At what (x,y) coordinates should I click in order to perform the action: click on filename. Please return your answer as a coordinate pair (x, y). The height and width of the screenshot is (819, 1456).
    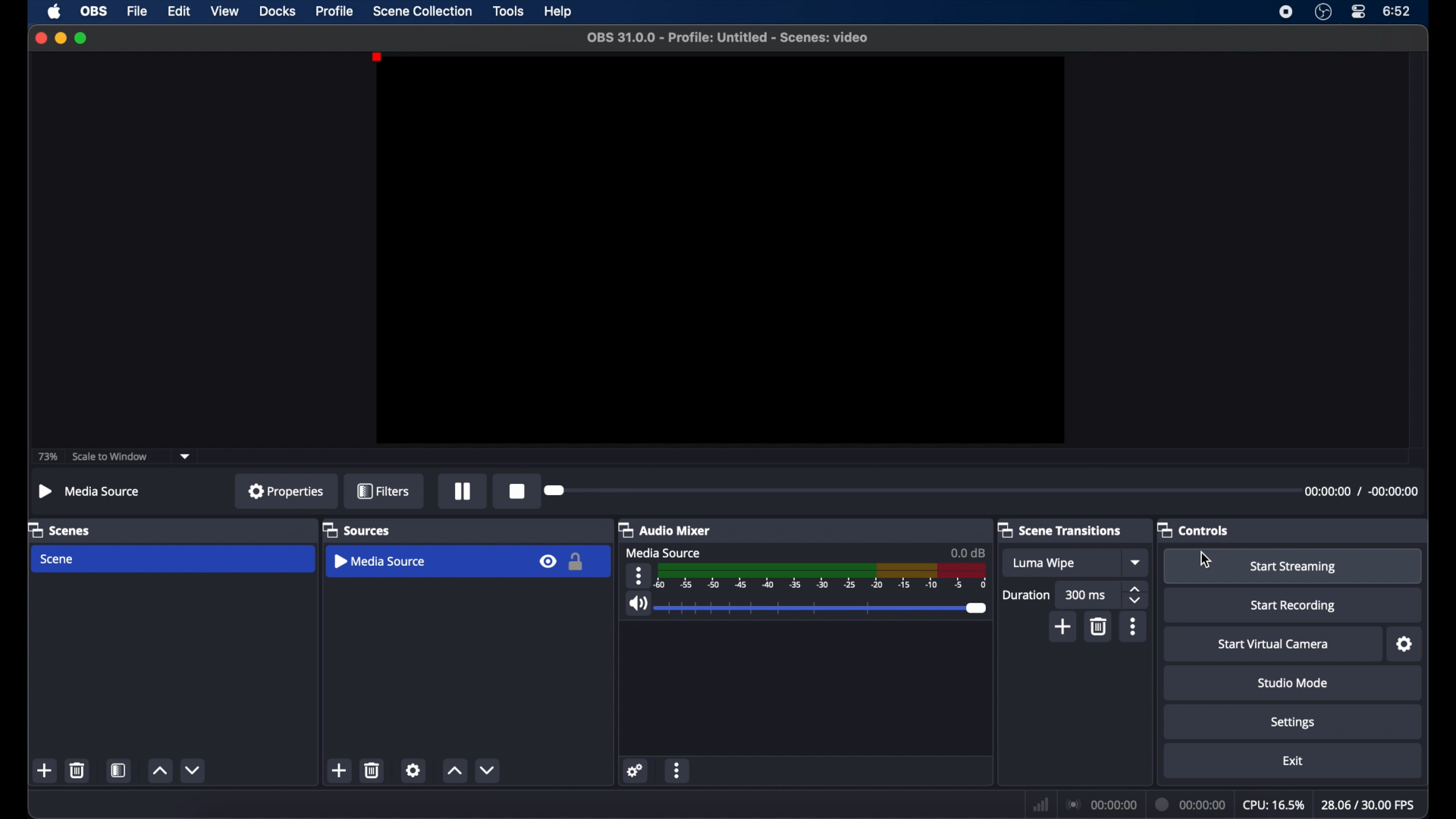
    Looking at the image, I should click on (728, 38).